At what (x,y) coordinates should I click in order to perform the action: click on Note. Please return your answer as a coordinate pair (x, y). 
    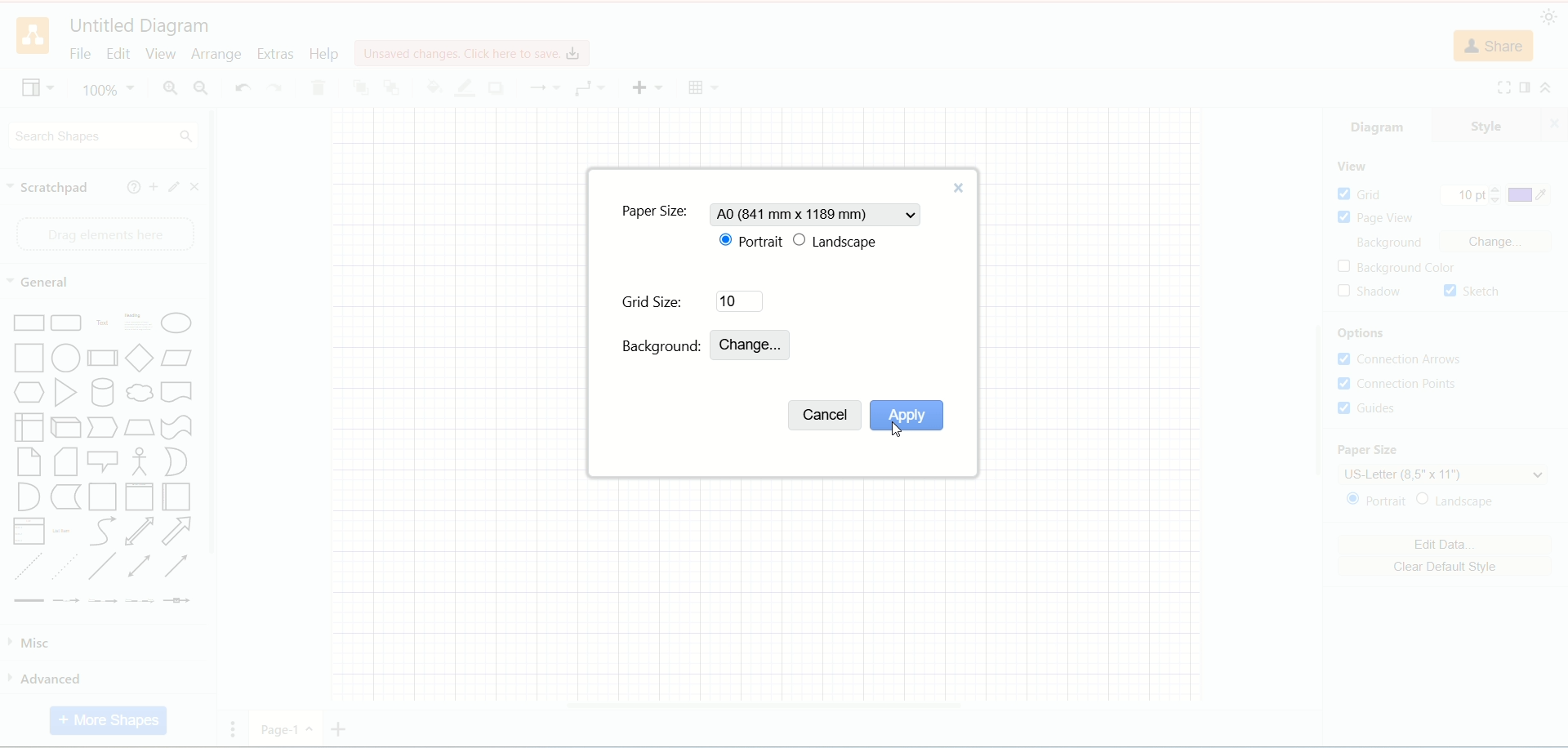
    Looking at the image, I should click on (29, 463).